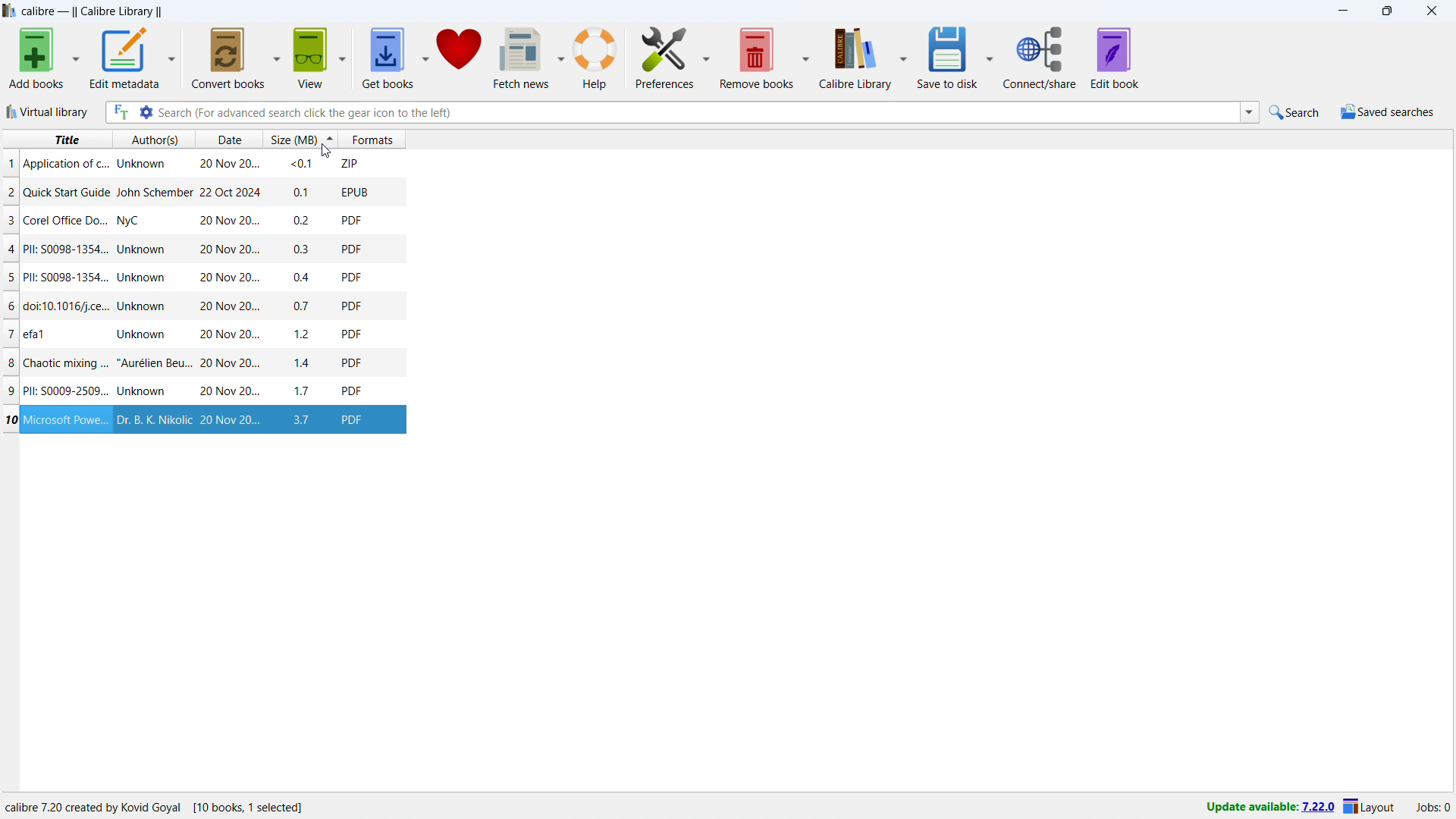 The height and width of the screenshot is (819, 1456). What do you see at coordinates (323, 152) in the screenshot?
I see `cursor` at bounding box center [323, 152].